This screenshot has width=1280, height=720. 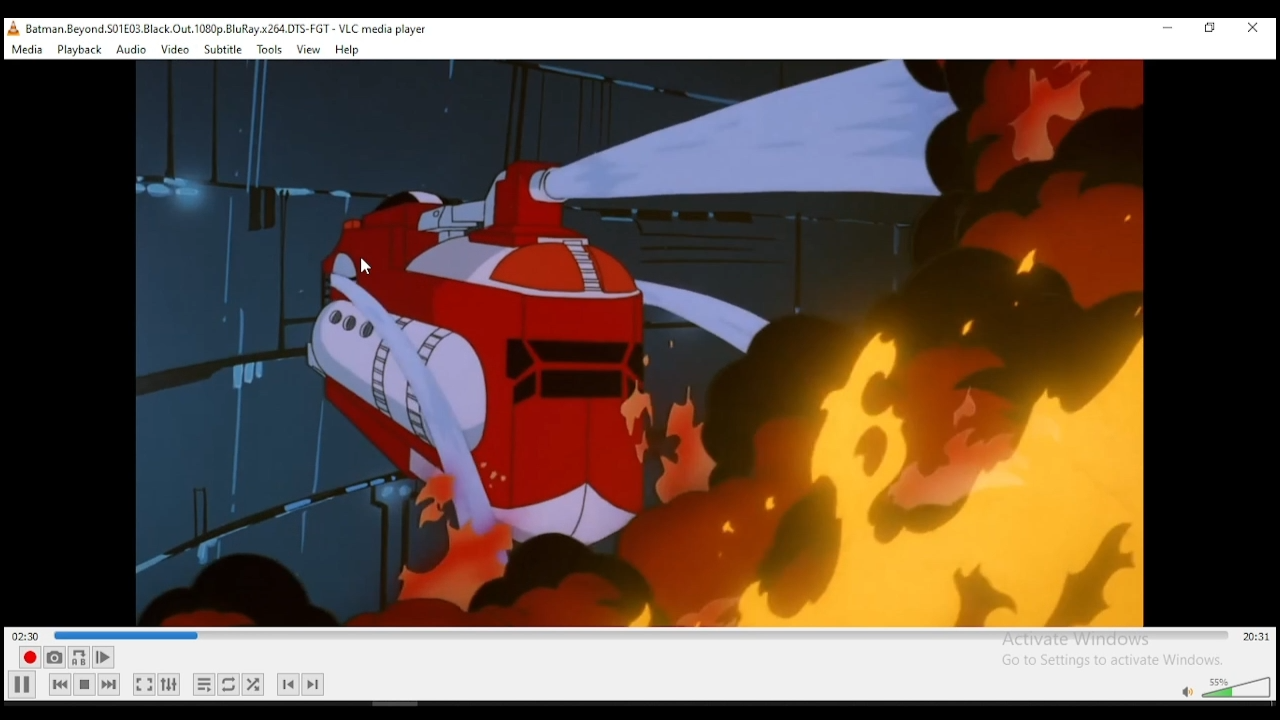 I want to click on previous chapter, so click(x=288, y=684).